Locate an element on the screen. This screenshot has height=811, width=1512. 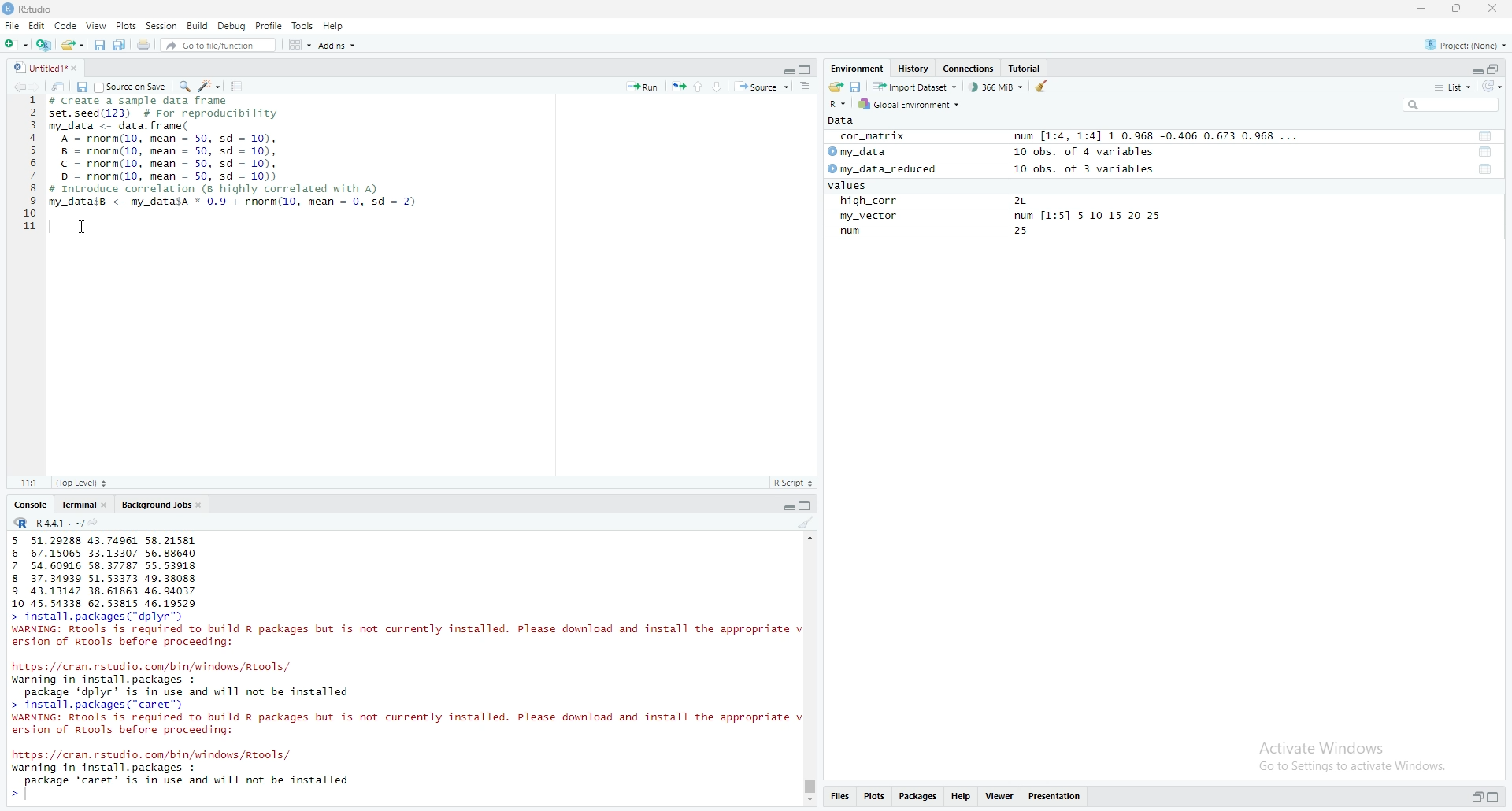
Project: (None) is located at coordinates (1466, 45).